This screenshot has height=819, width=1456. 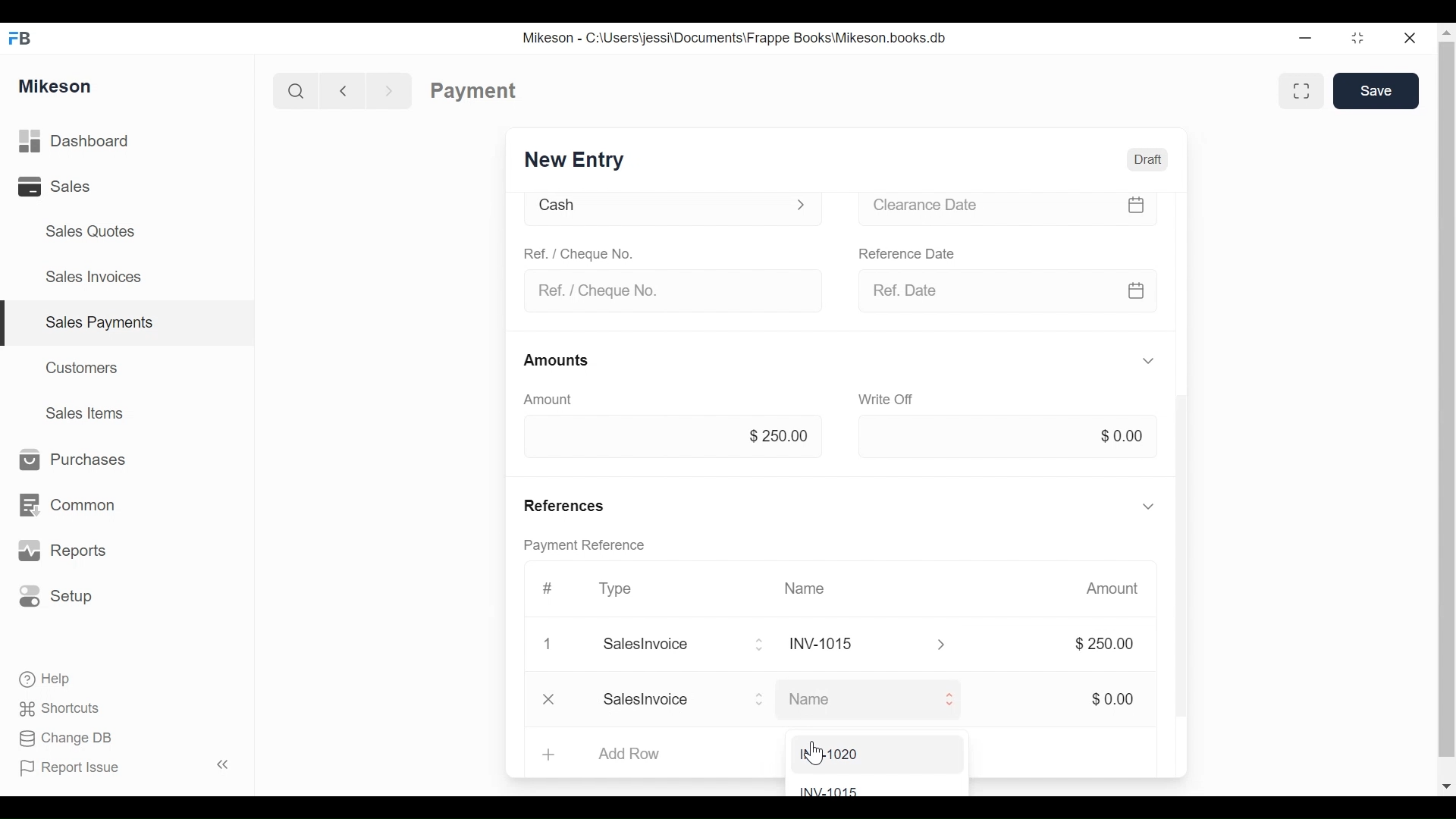 I want to click on Write off, so click(x=890, y=401).